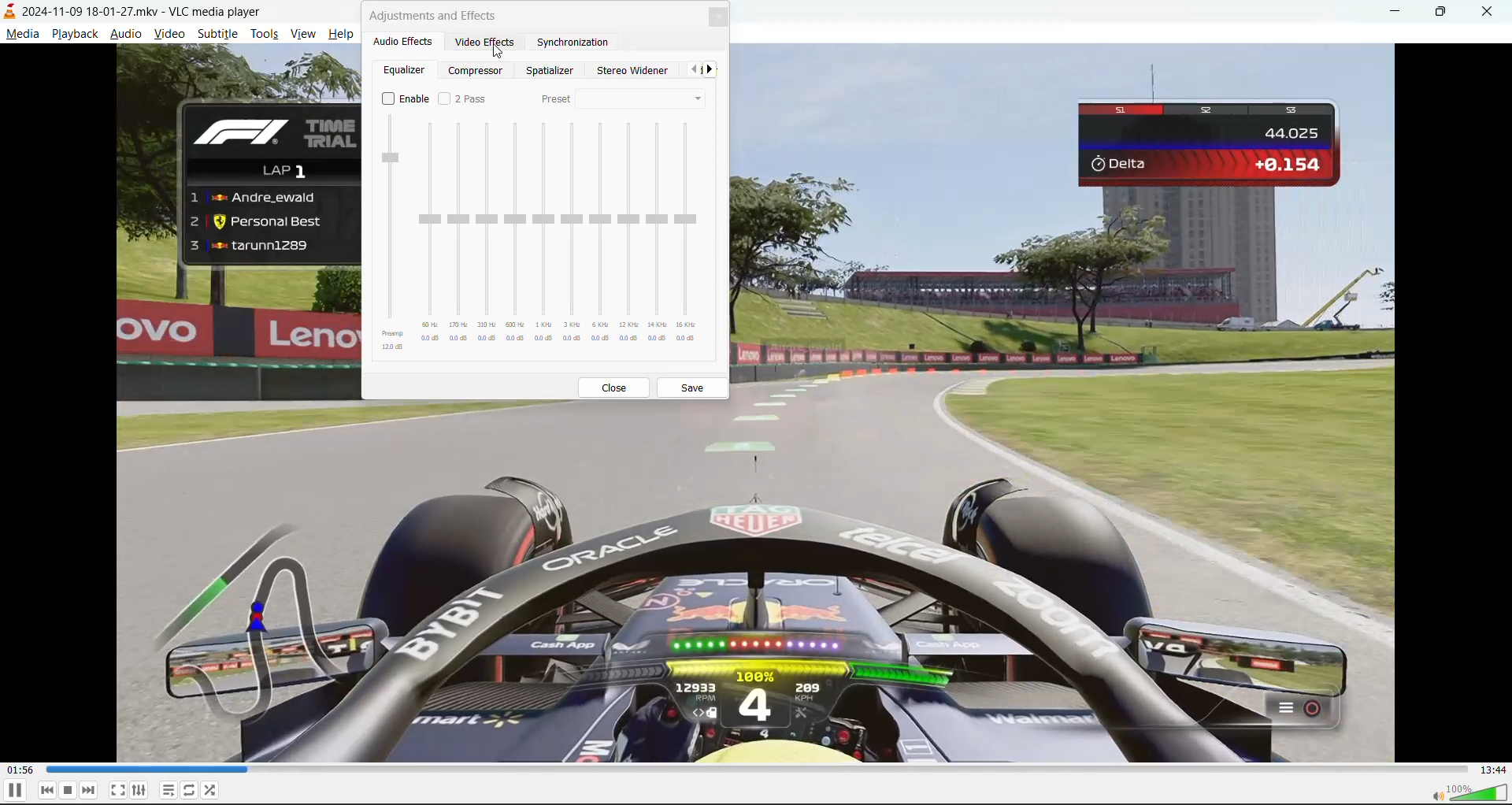  What do you see at coordinates (90, 790) in the screenshot?
I see `next` at bounding box center [90, 790].